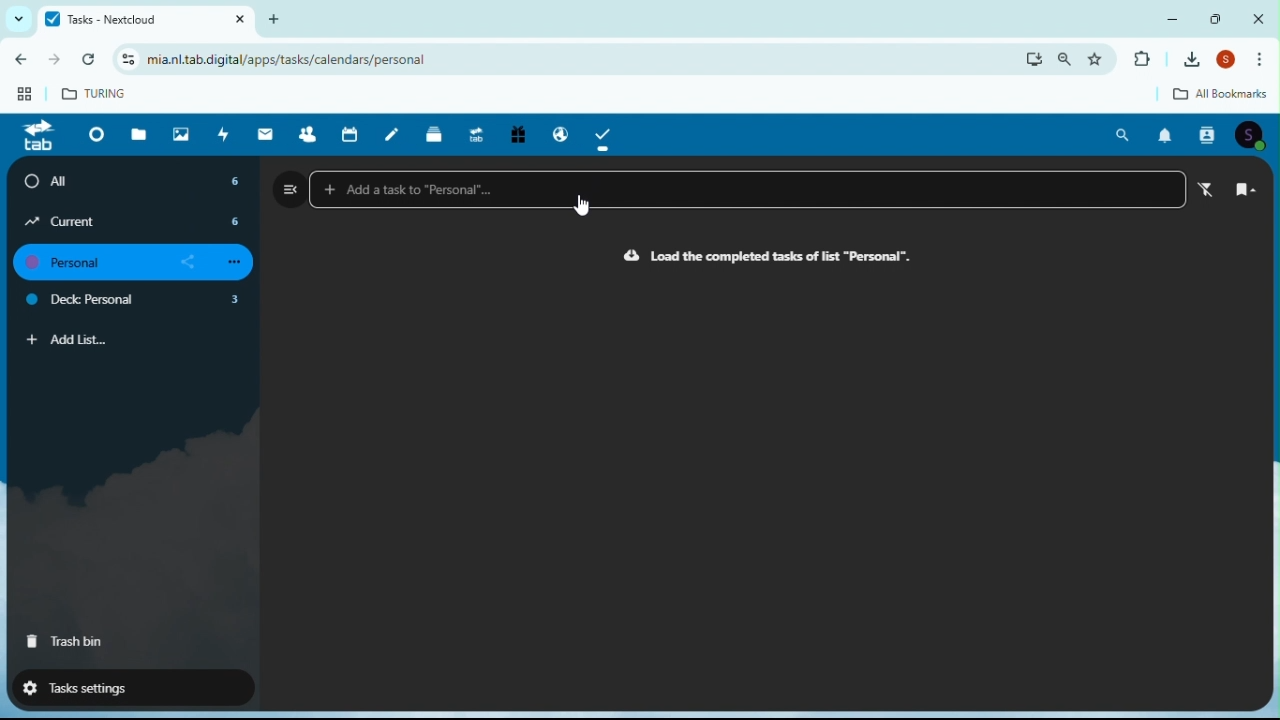  Describe the element at coordinates (307, 133) in the screenshot. I see `Contacts` at that location.